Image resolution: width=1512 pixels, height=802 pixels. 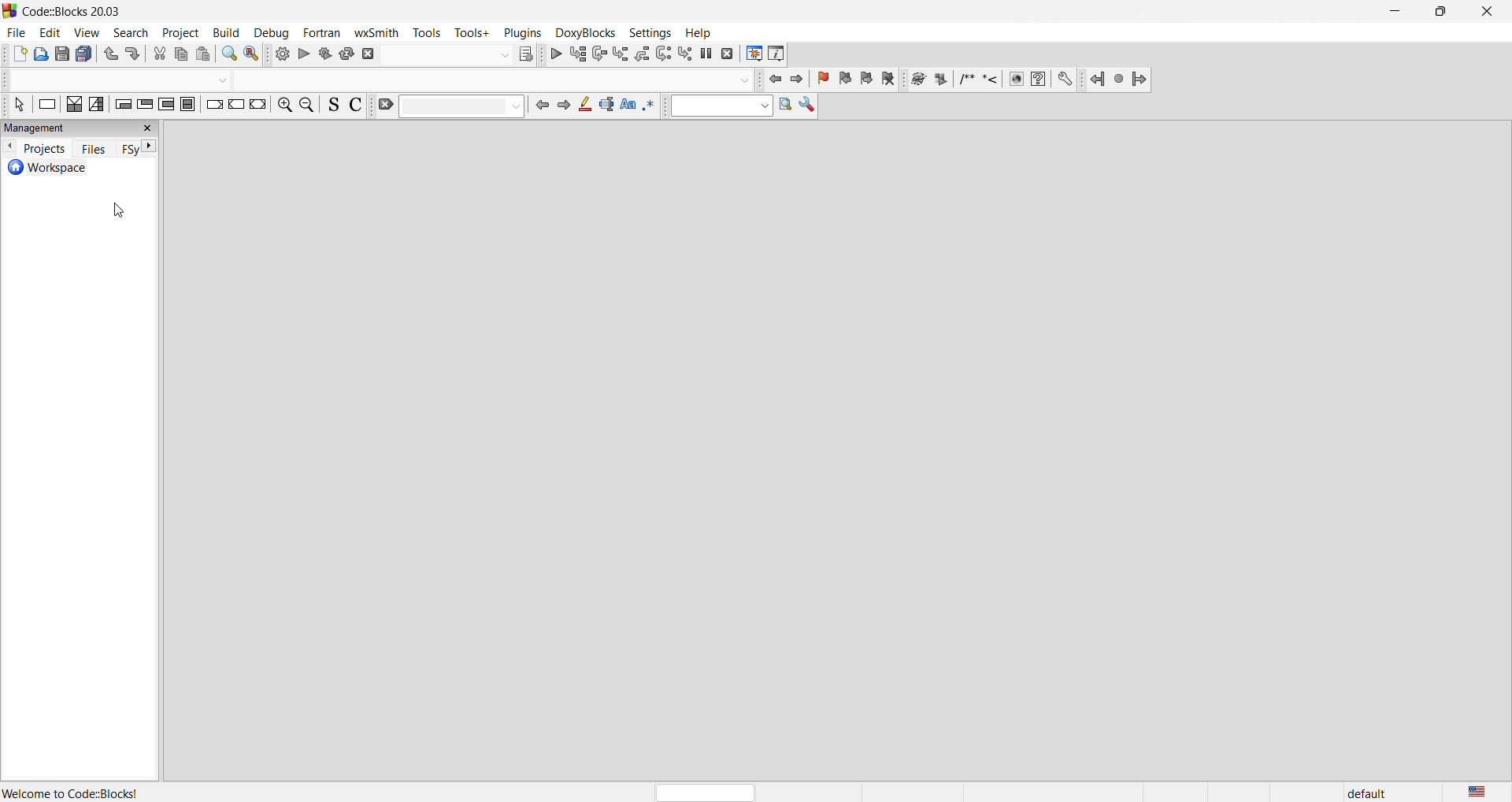 What do you see at coordinates (327, 55) in the screenshot?
I see `build and run` at bounding box center [327, 55].